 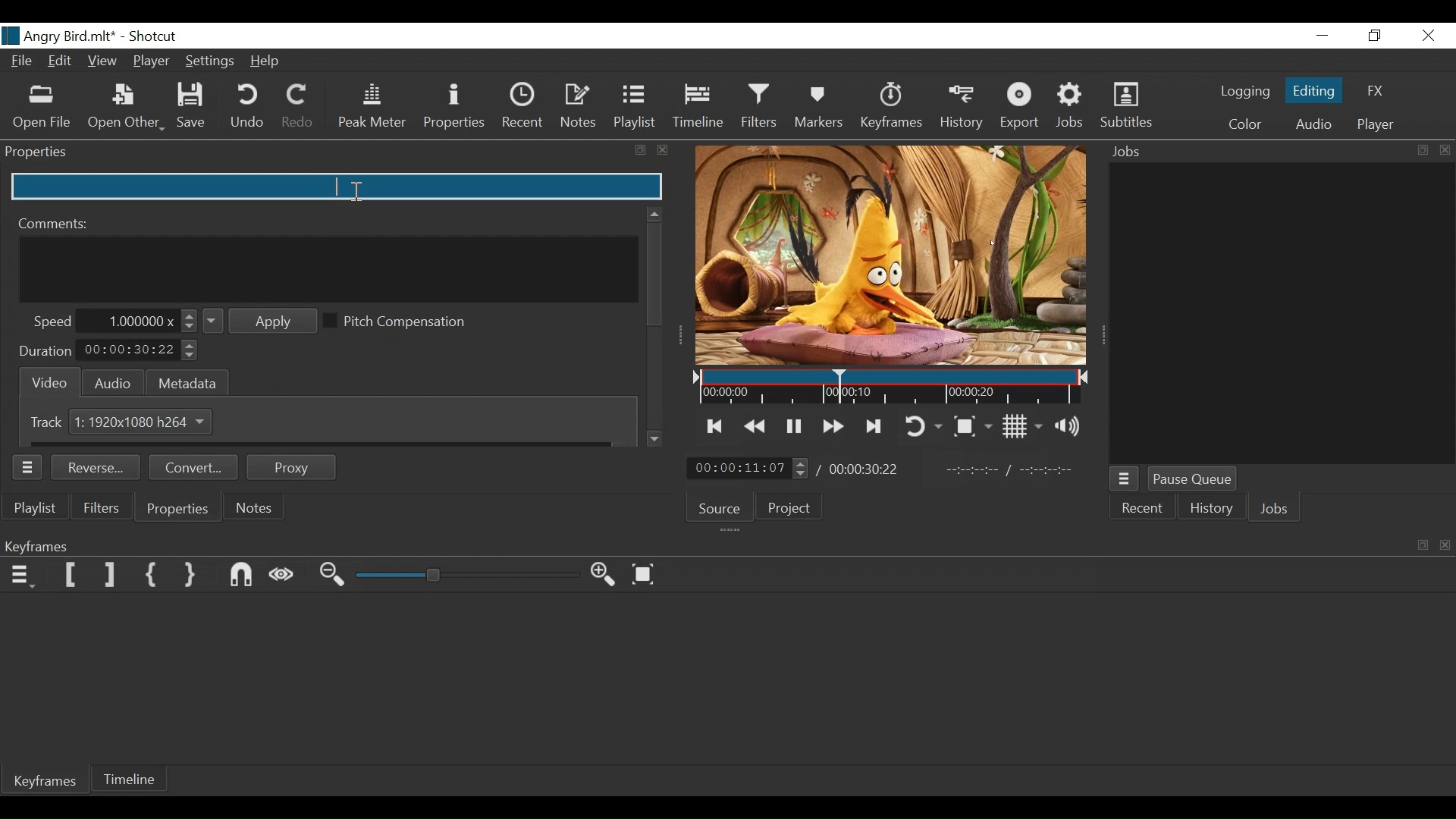 I want to click on Size, so click(x=143, y=421).